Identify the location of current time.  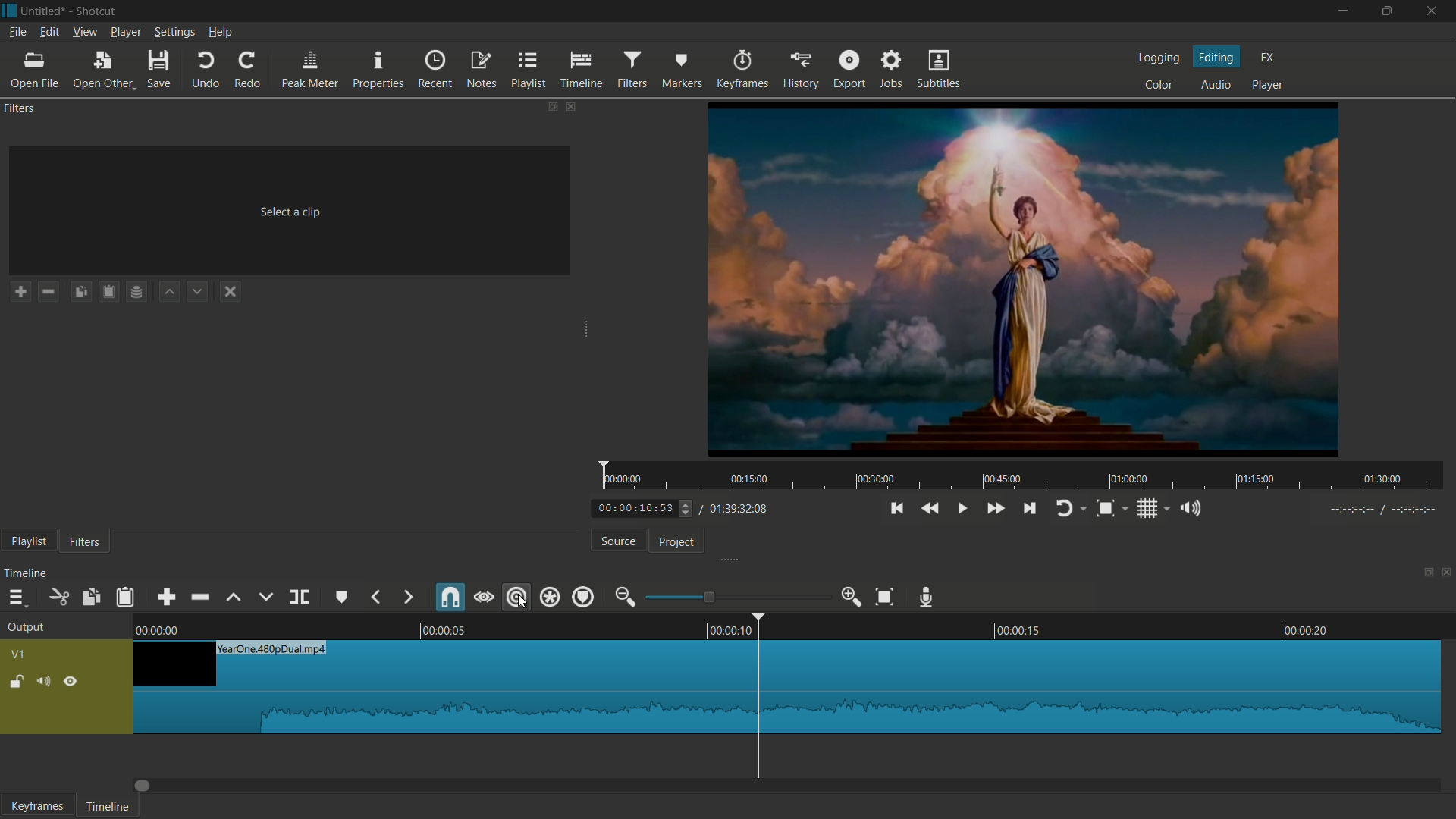
(635, 509).